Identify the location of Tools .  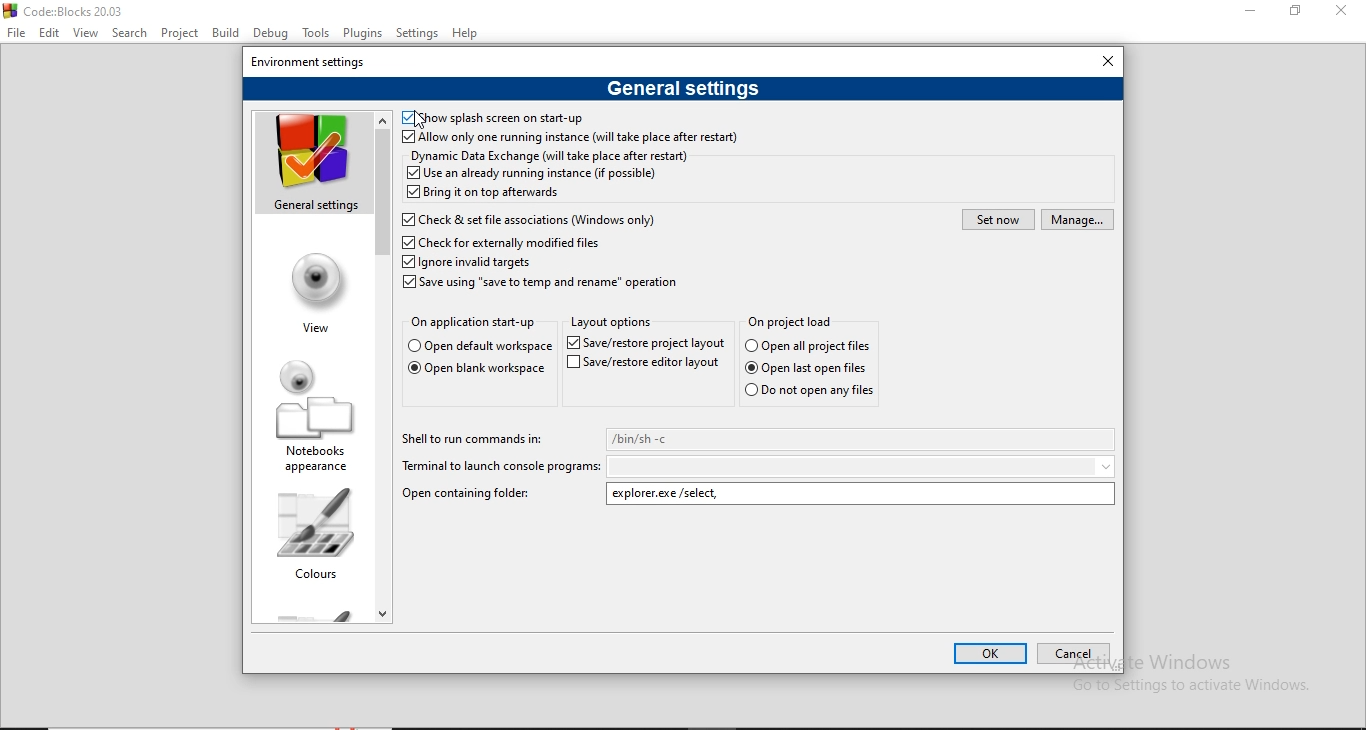
(316, 33).